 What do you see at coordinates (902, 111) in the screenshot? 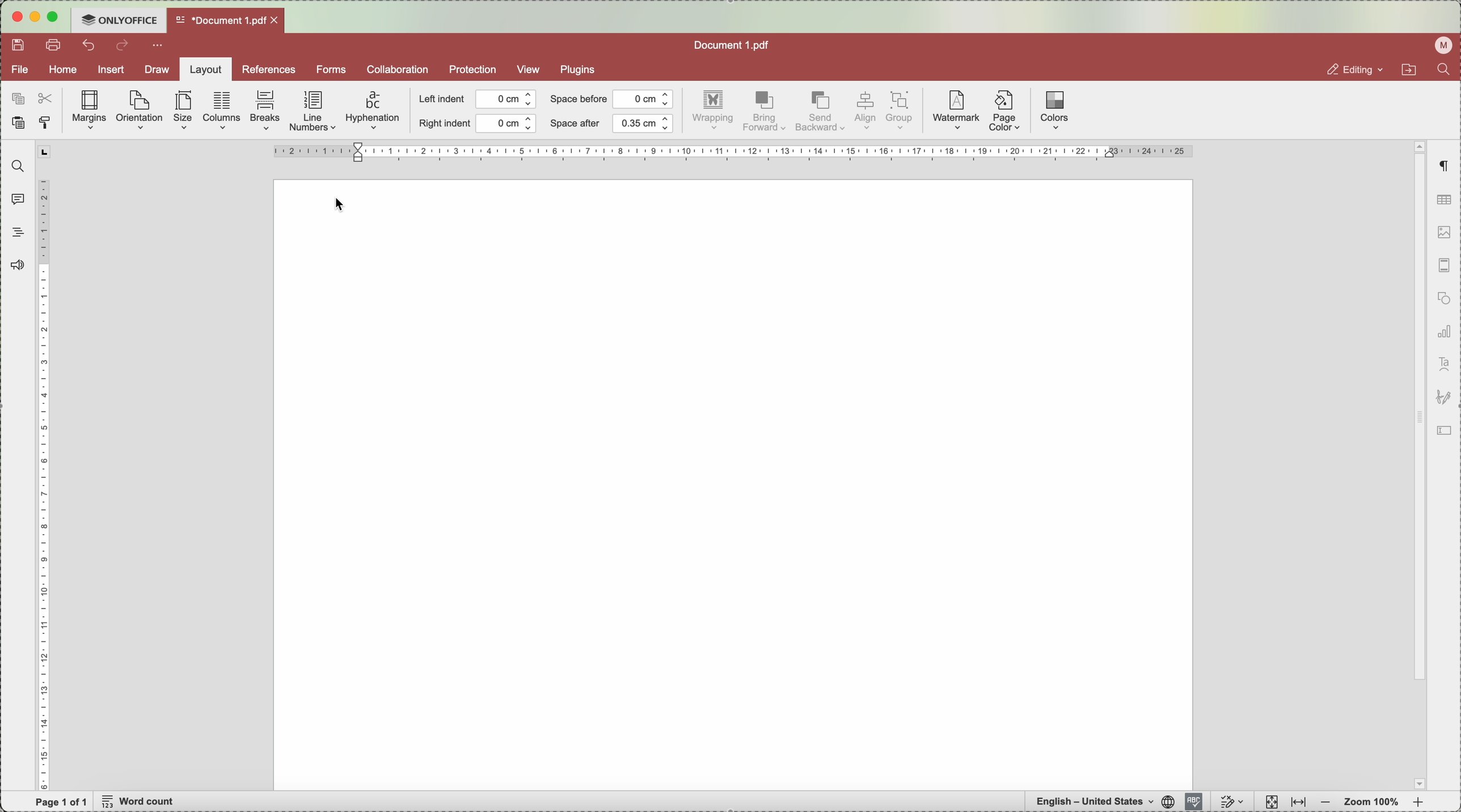
I see `group` at bounding box center [902, 111].